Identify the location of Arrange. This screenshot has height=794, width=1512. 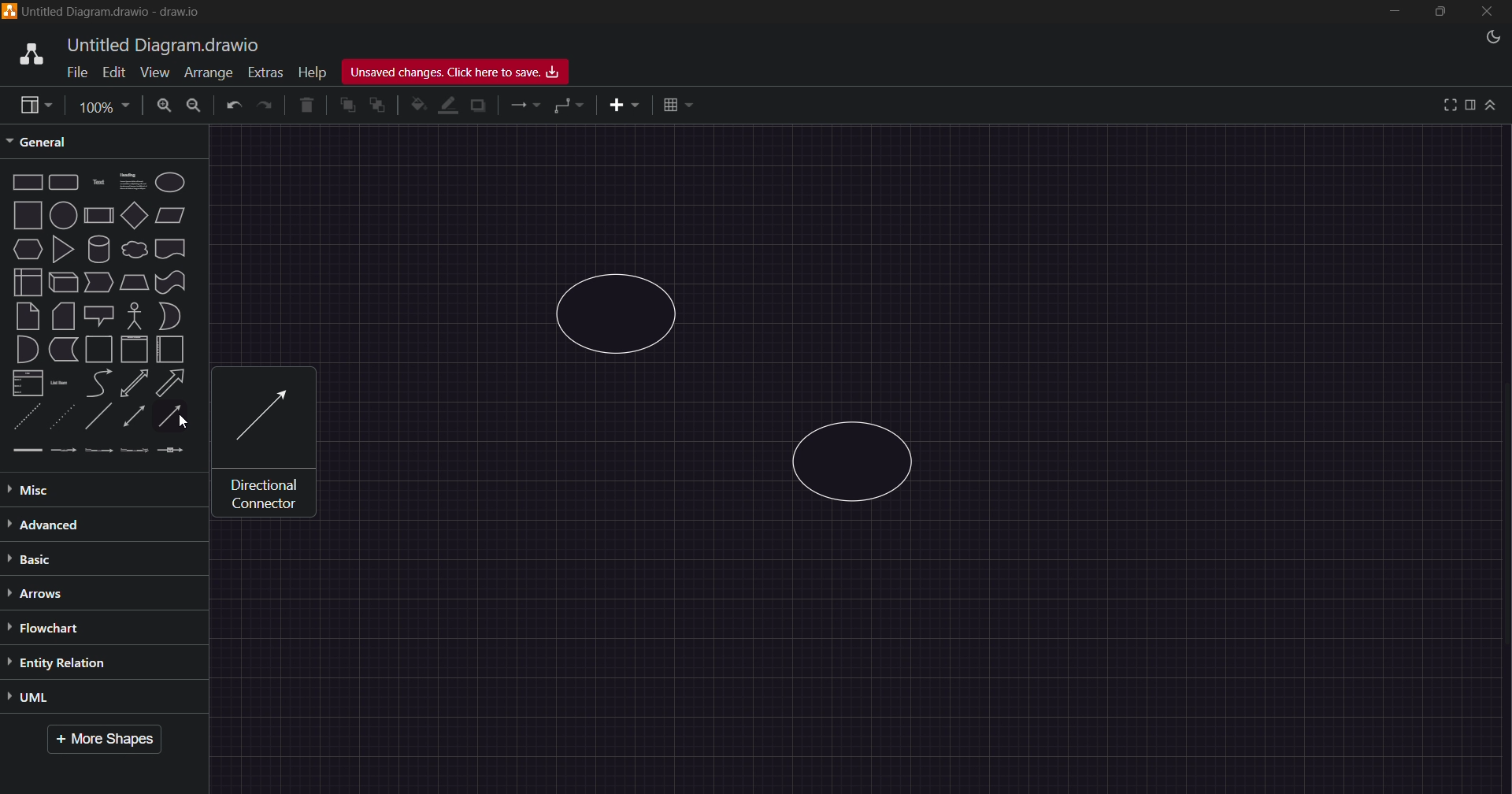
(205, 74).